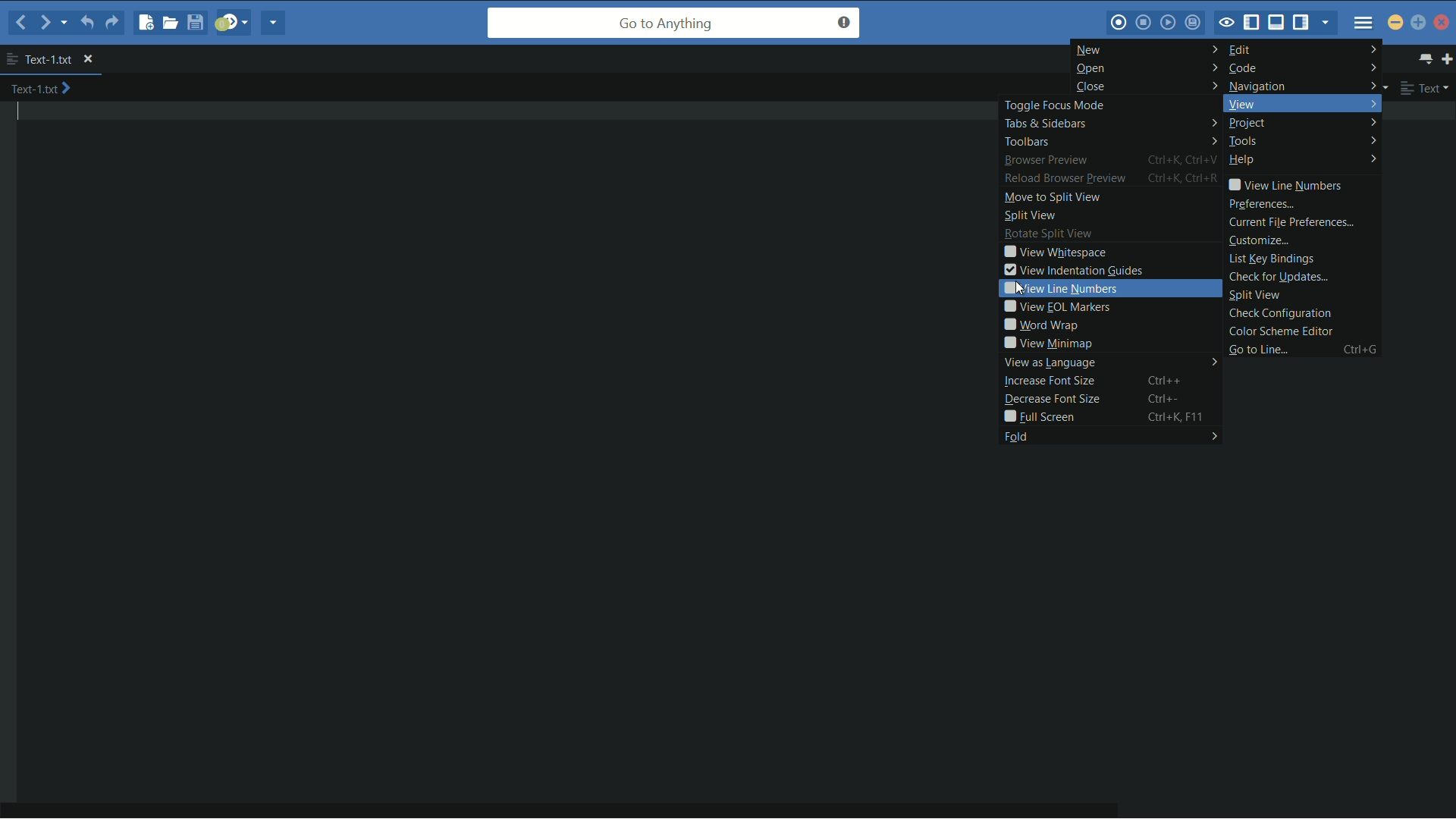 This screenshot has width=1456, height=819. What do you see at coordinates (1279, 313) in the screenshot?
I see `check configuration` at bounding box center [1279, 313].